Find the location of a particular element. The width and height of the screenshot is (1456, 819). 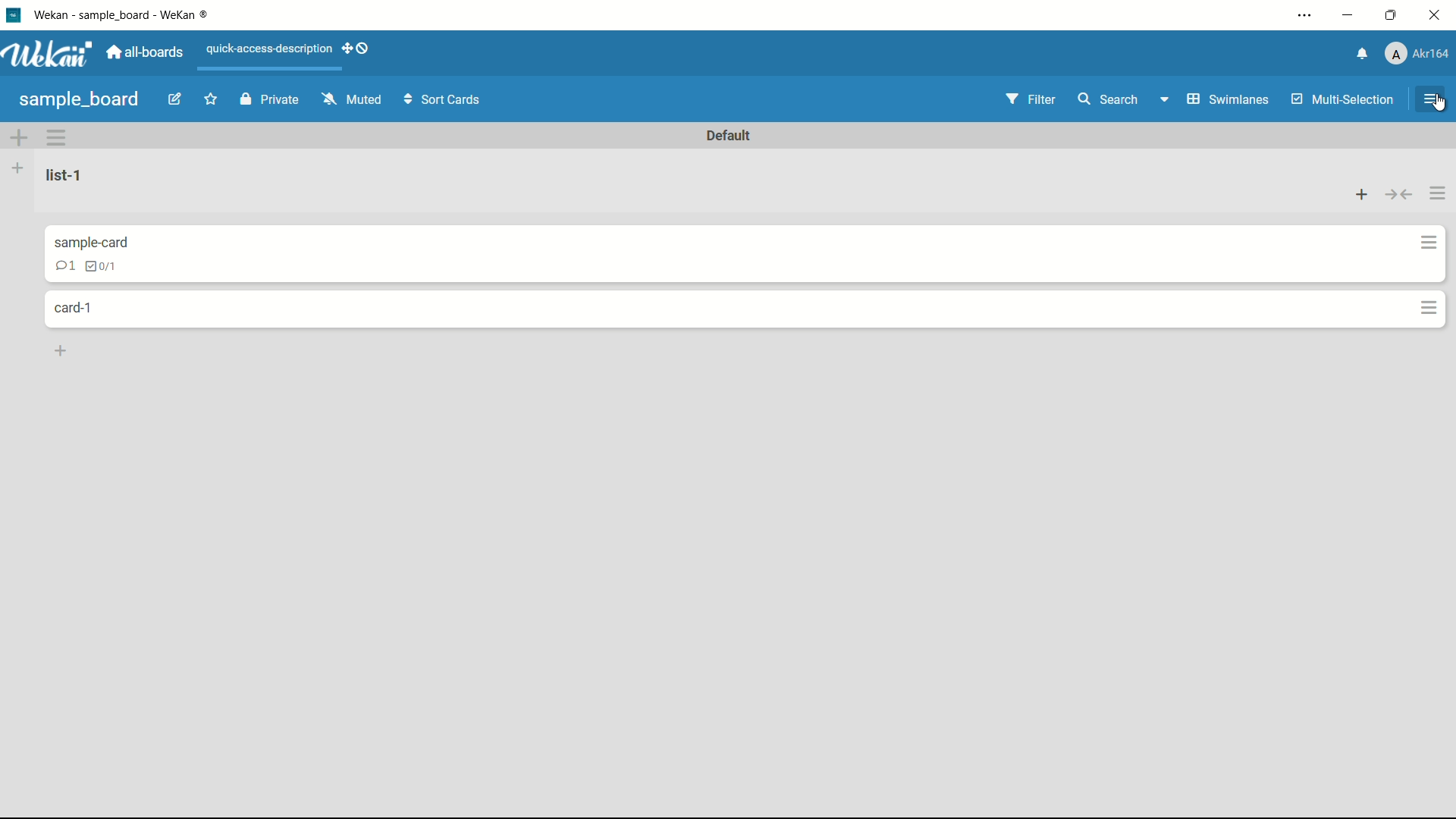

private is located at coordinates (268, 100).